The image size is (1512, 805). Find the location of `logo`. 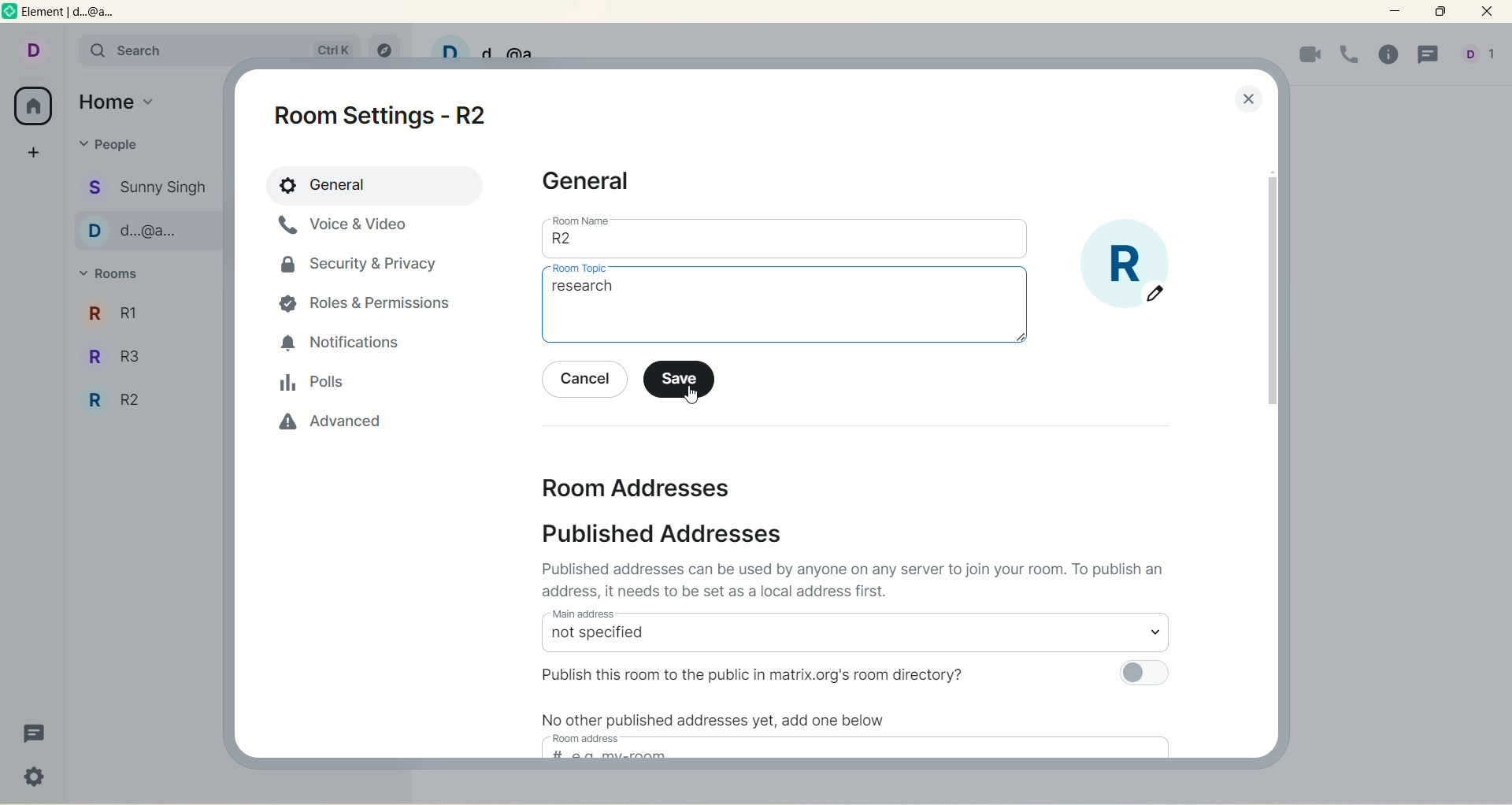

logo is located at coordinates (10, 14).